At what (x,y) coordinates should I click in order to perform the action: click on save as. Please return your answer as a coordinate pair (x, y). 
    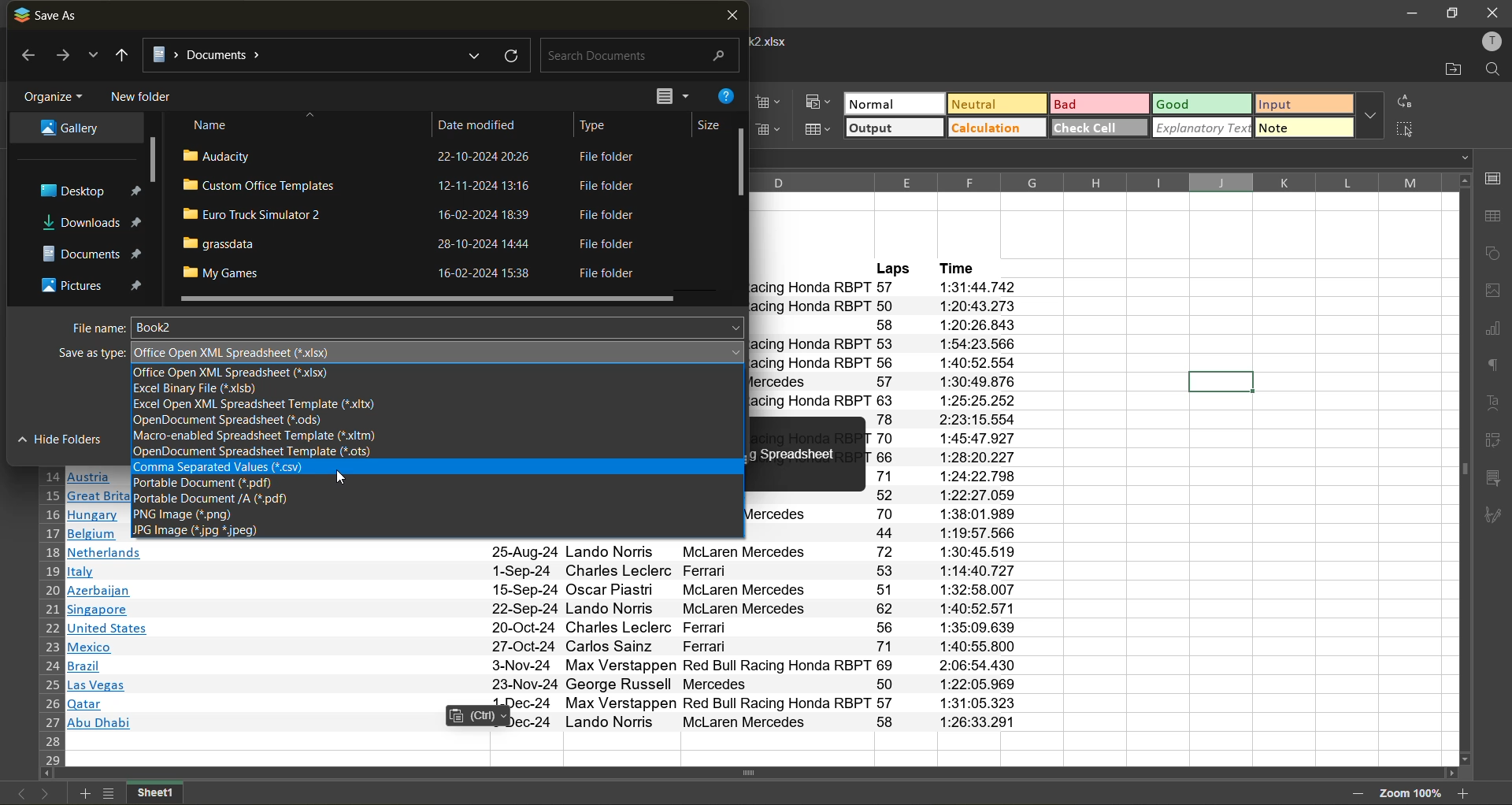
    Looking at the image, I should click on (49, 15).